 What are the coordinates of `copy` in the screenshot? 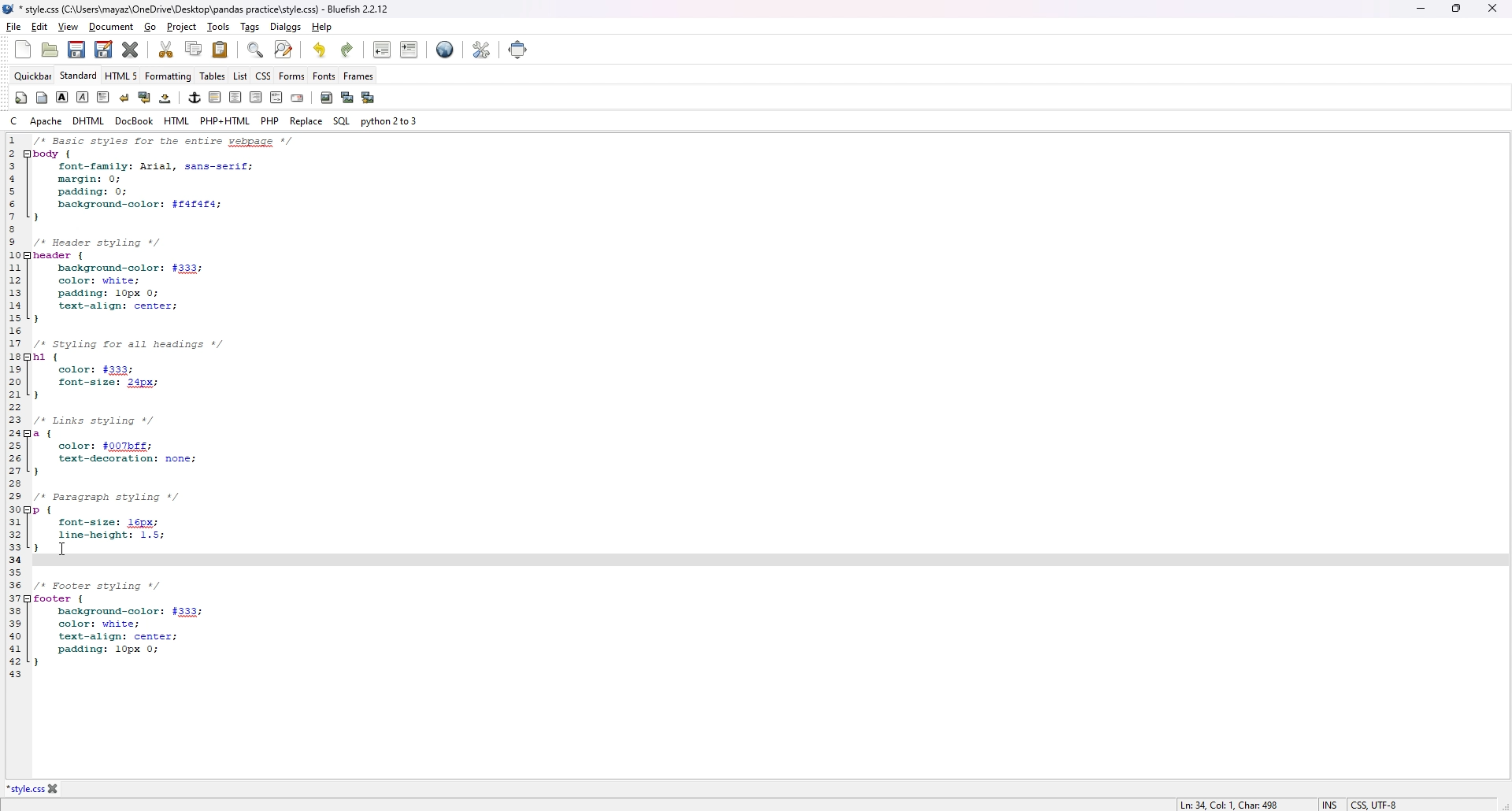 It's located at (194, 48).